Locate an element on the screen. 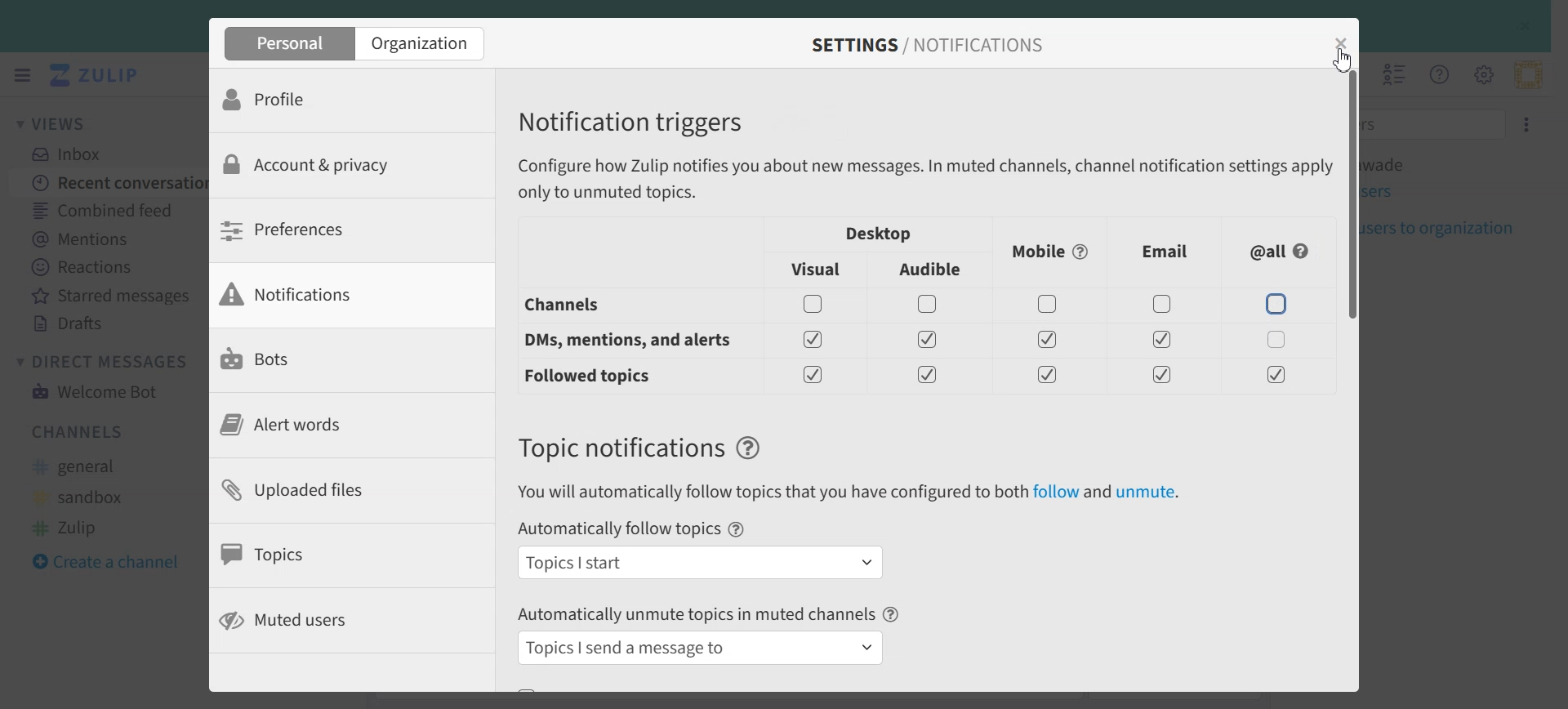 The width and height of the screenshot is (1568, 709). Audible is located at coordinates (932, 270).